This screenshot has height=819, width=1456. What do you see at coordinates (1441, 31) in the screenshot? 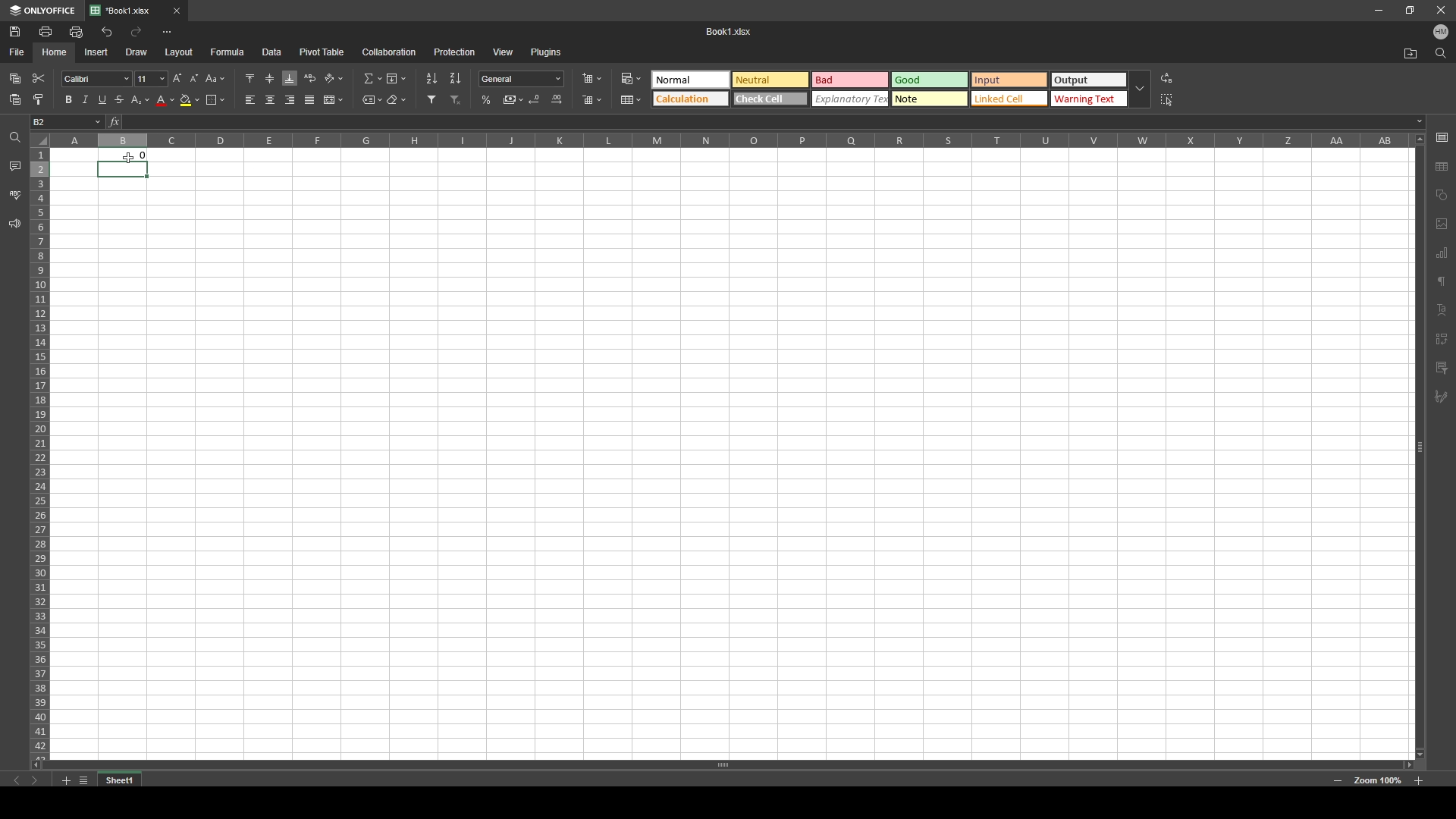
I see `profile` at bounding box center [1441, 31].